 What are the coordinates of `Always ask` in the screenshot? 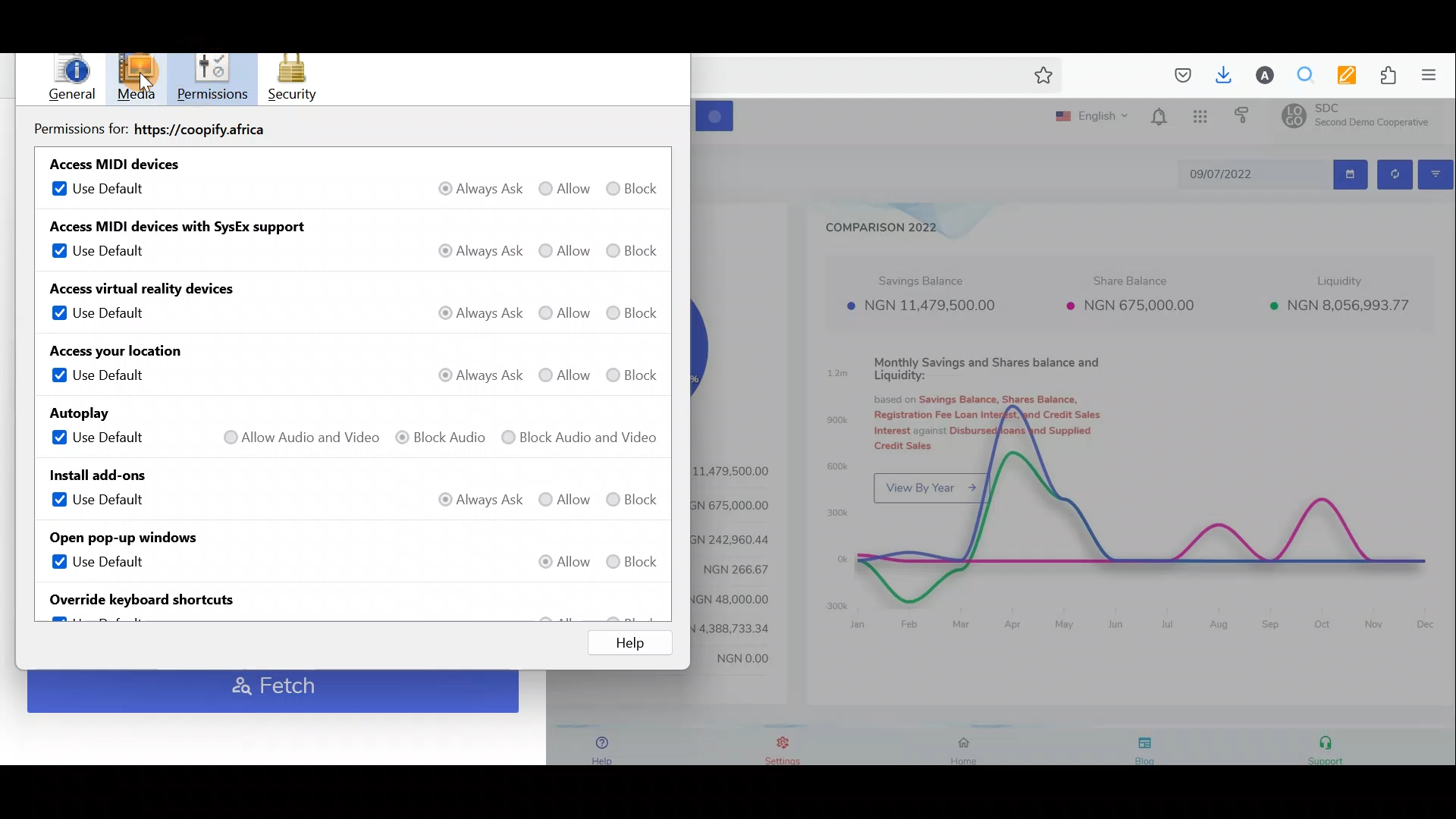 It's located at (476, 191).